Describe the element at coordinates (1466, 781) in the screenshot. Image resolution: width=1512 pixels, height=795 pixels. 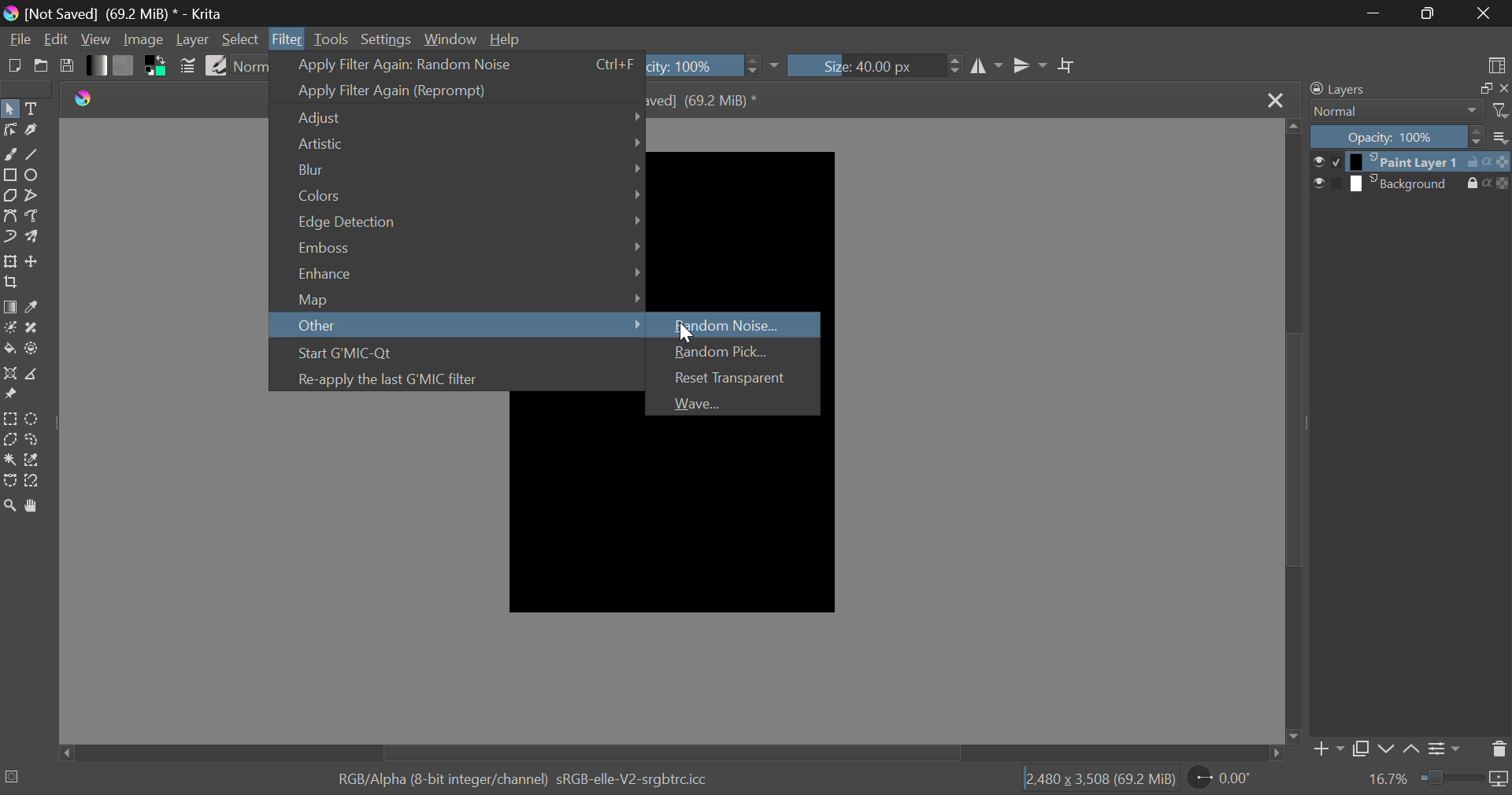
I see `Zoom` at that location.